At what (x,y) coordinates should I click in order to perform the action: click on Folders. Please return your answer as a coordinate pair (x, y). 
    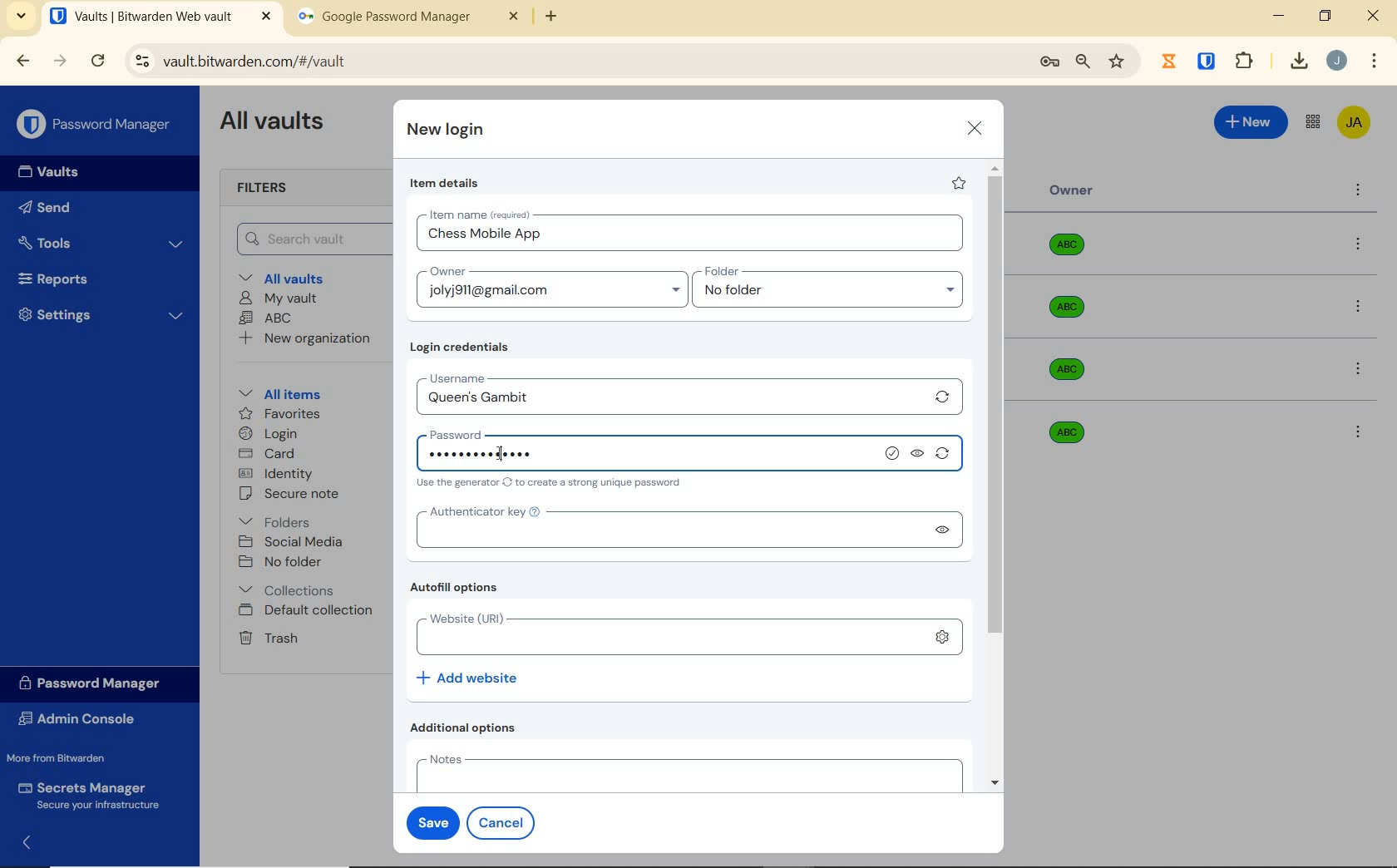
    Looking at the image, I should click on (278, 519).